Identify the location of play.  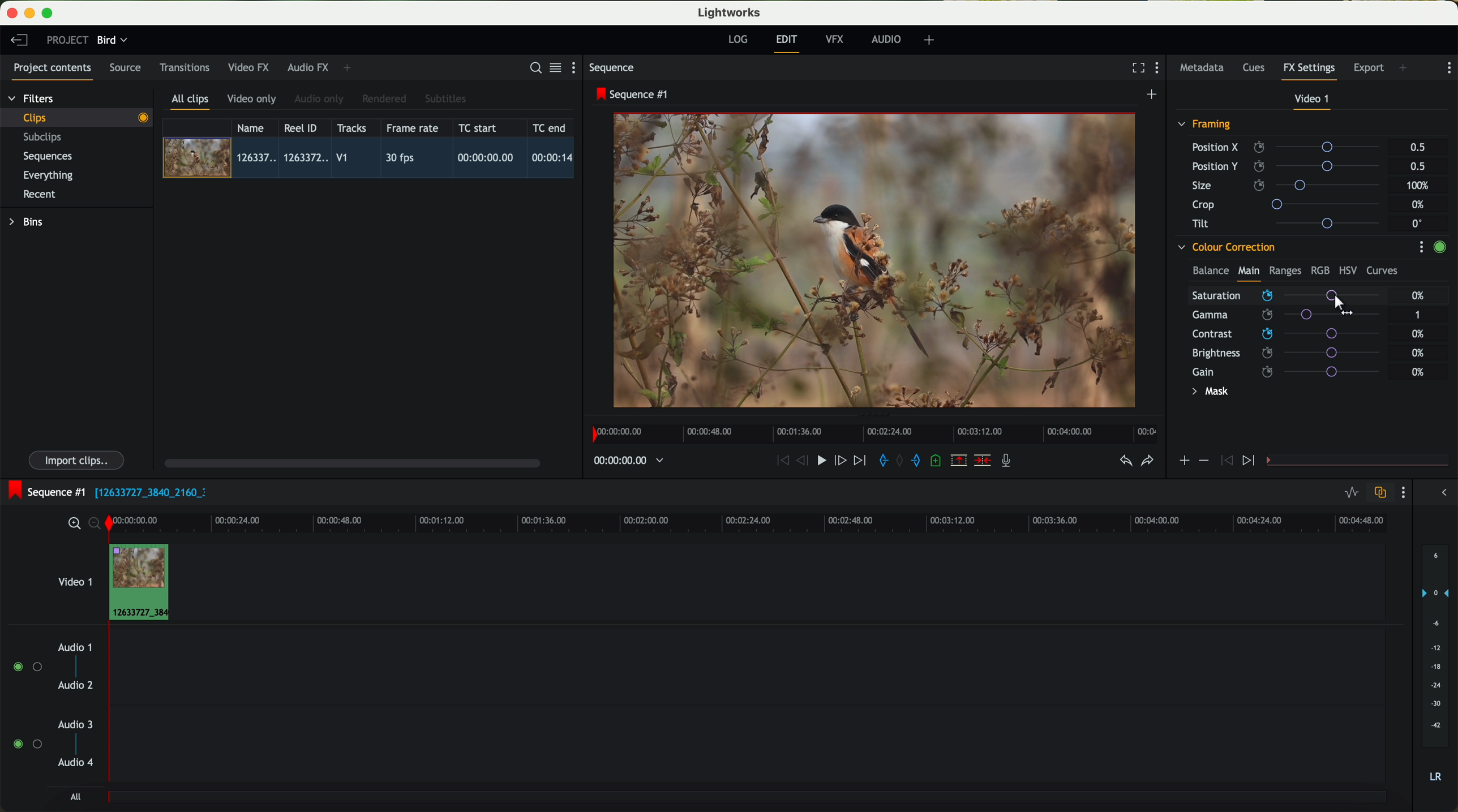
(821, 459).